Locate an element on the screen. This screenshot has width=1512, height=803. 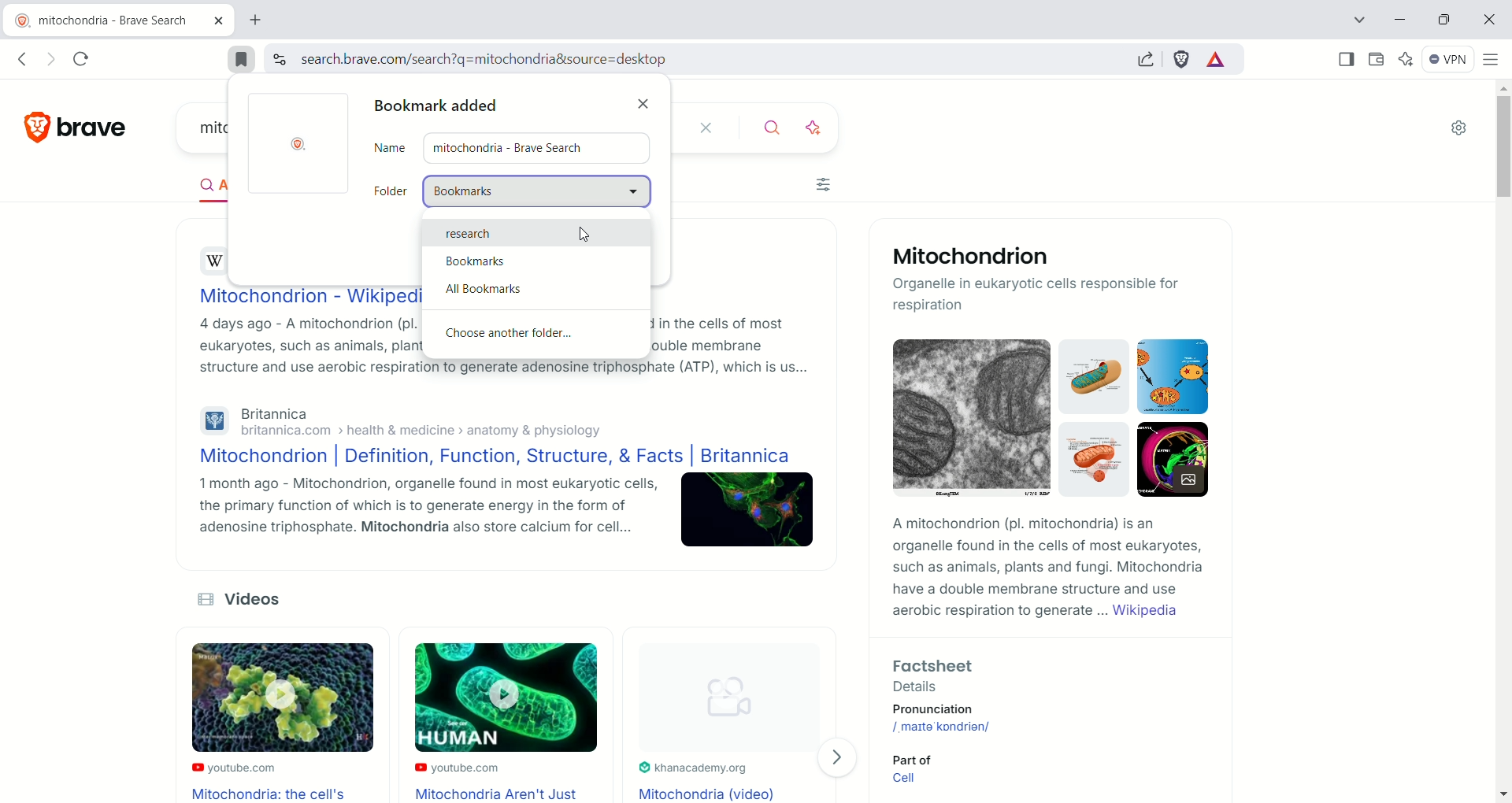
 Britannicabritannica.com > health & medicine > anatomy & physiology is located at coordinates (400, 421).